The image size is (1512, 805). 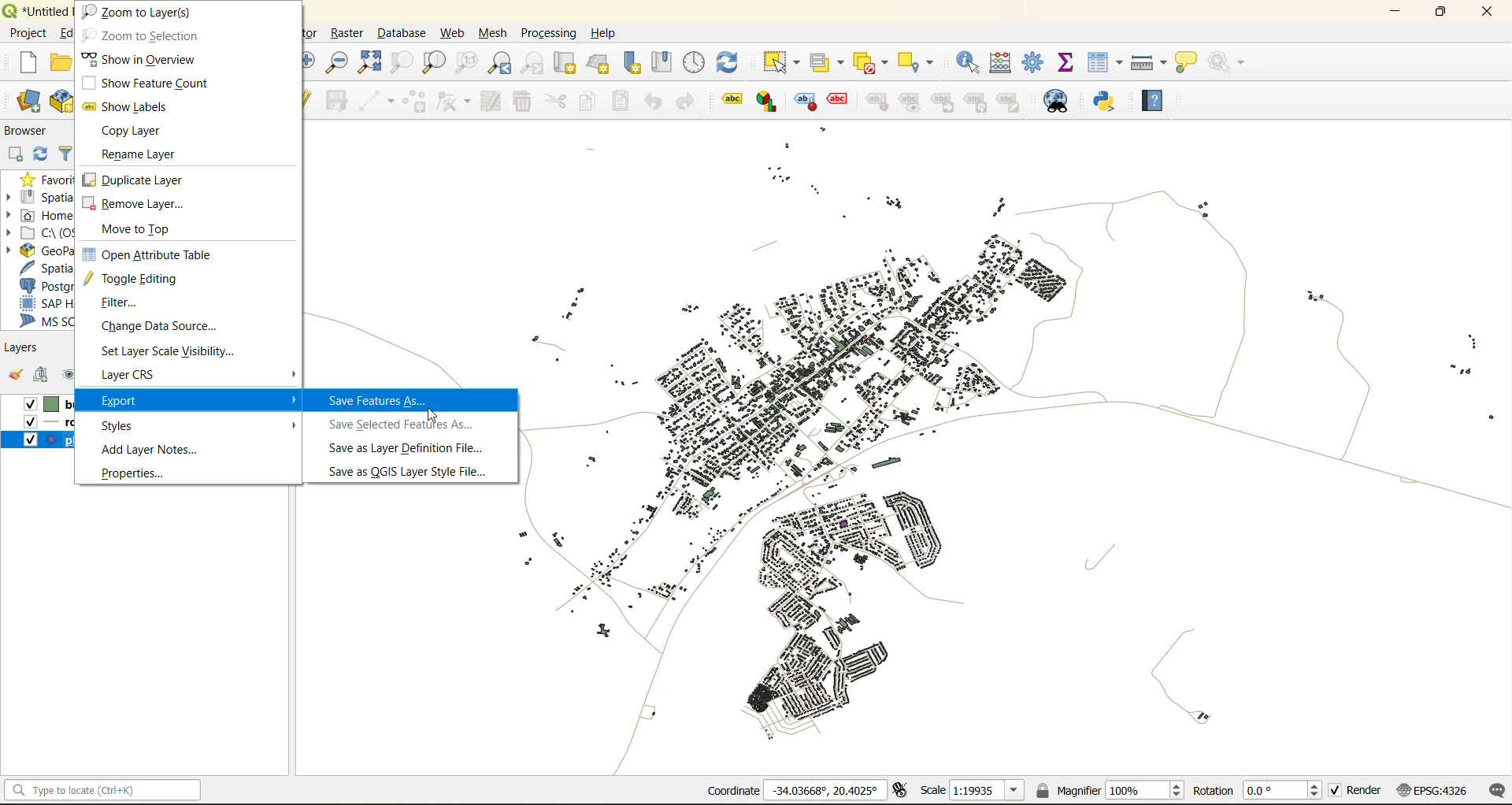 What do you see at coordinates (695, 61) in the screenshot?
I see `control panel` at bounding box center [695, 61].